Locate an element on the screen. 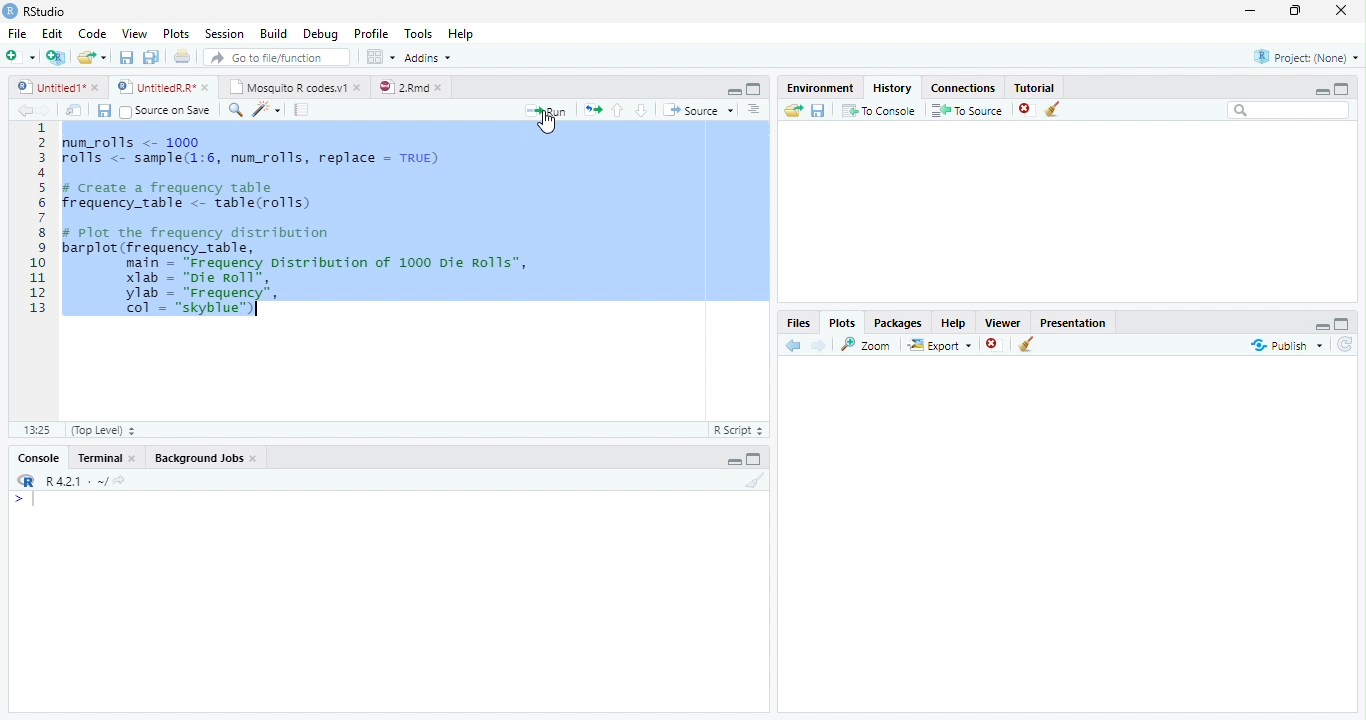  Export is located at coordinates (939, 346).